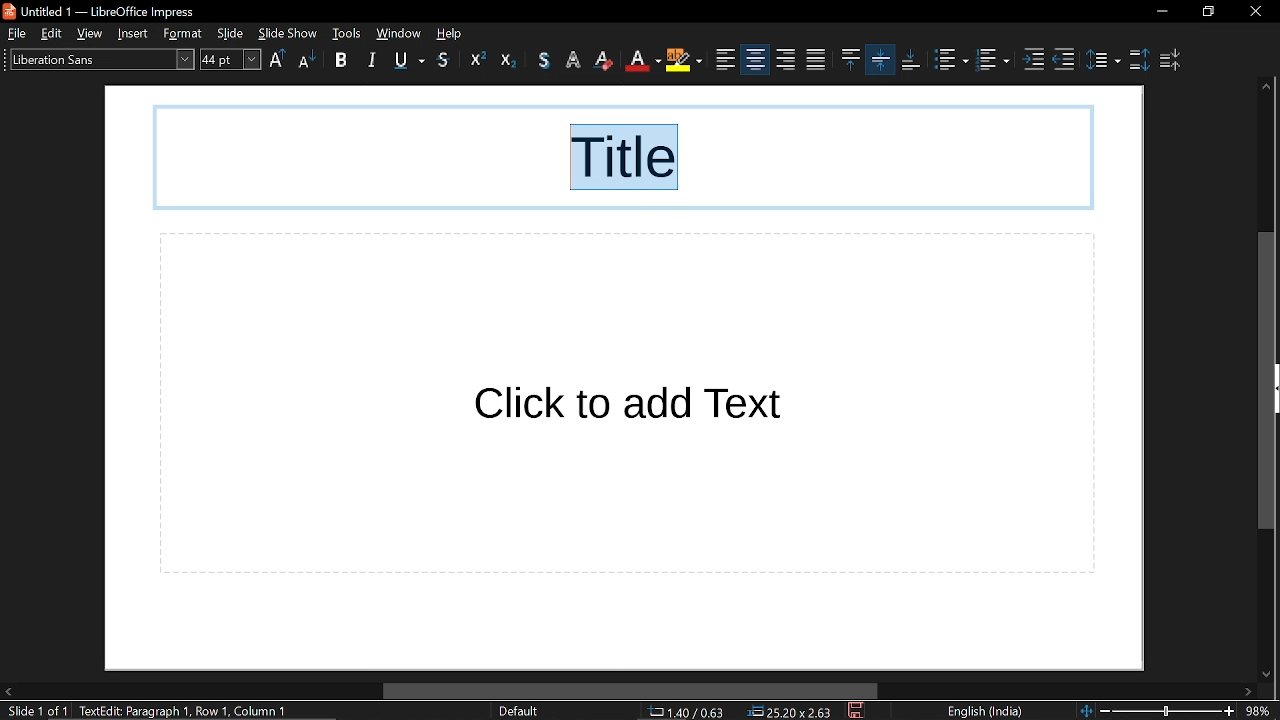  What do you see at coordinates (1036, 60) in the screenshot?
I see `increase indent` at bounding box center [1036, 60].